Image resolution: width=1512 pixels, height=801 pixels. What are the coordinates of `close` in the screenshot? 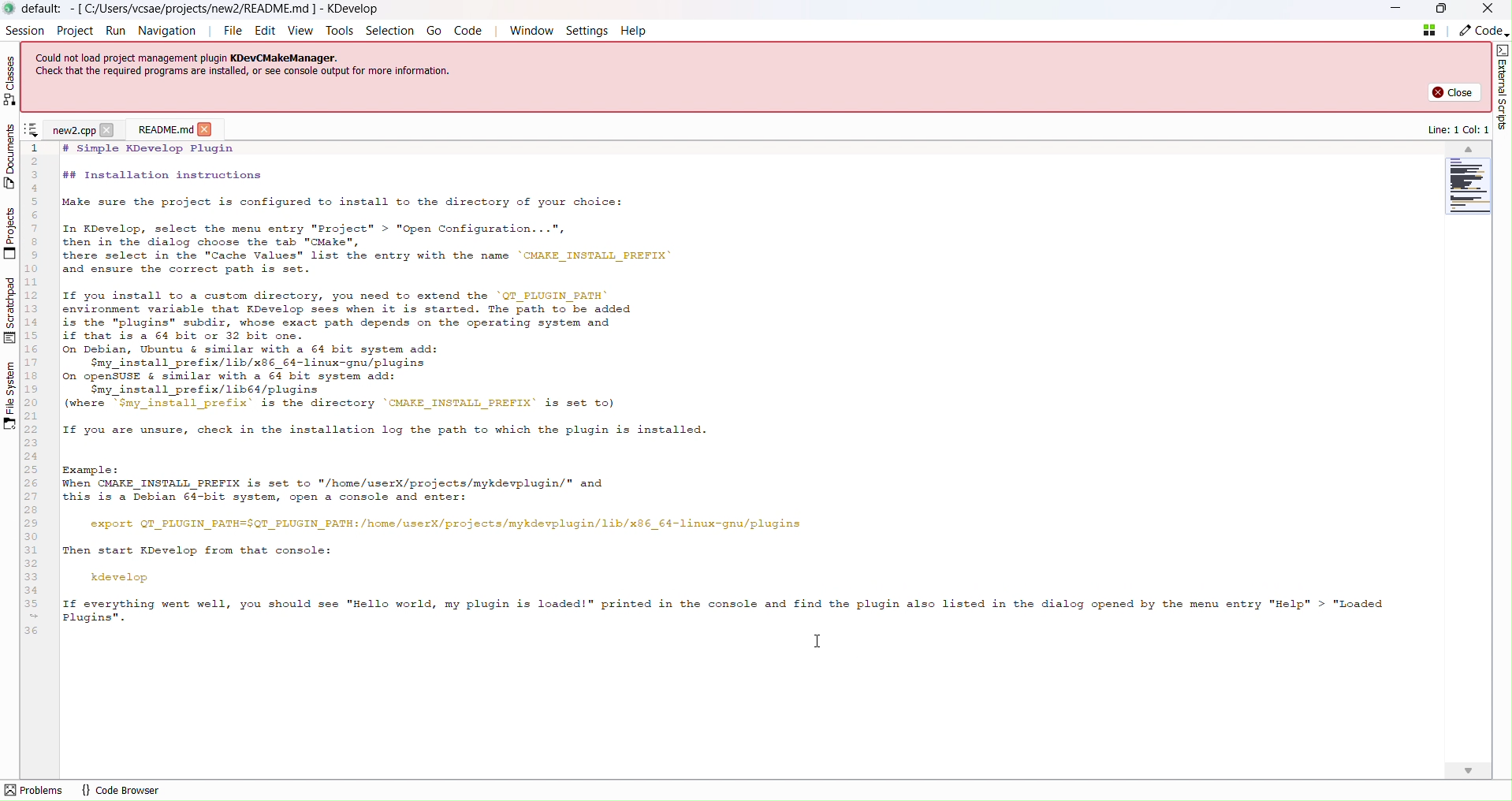 It's located at (206, 129).